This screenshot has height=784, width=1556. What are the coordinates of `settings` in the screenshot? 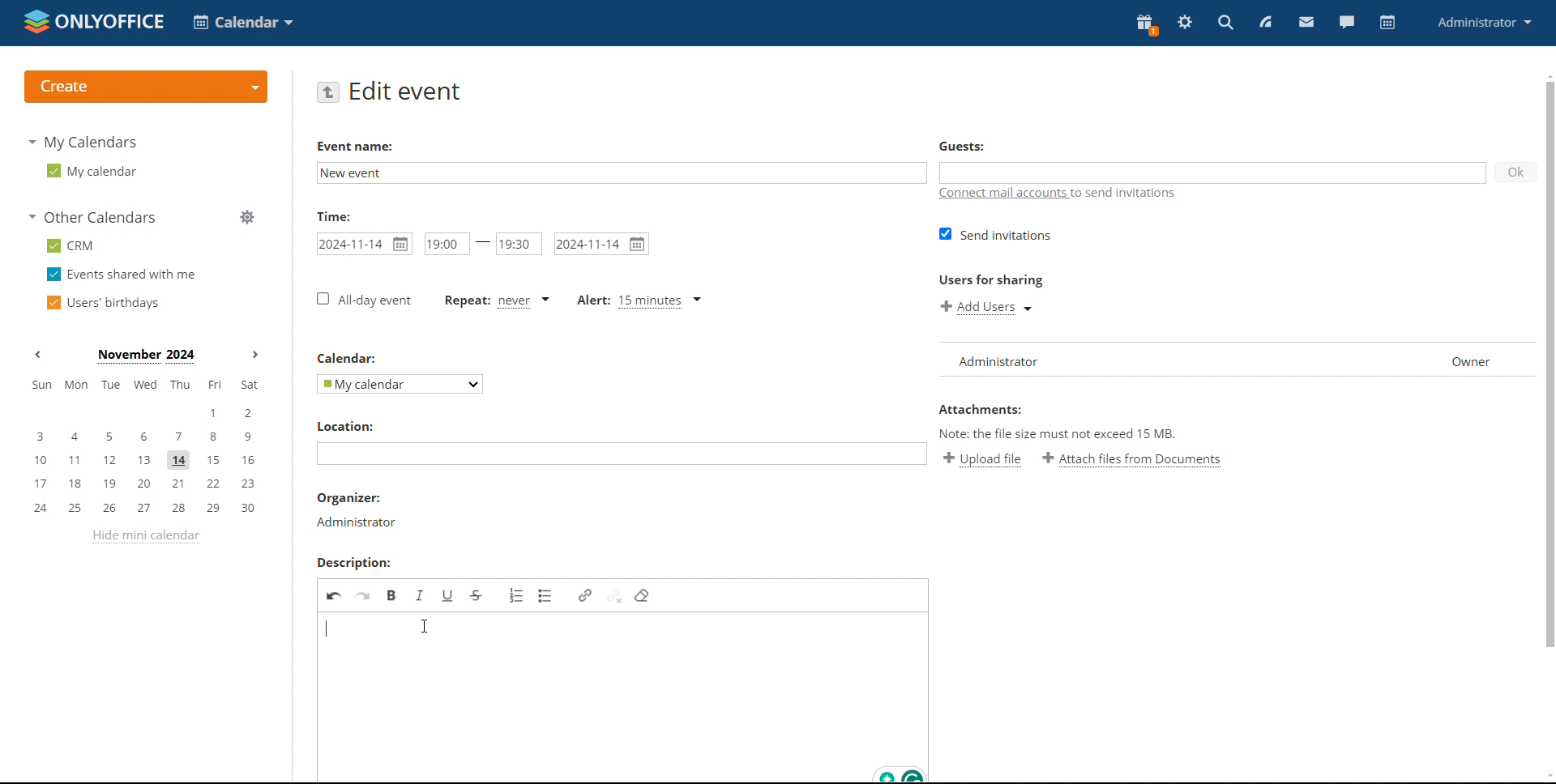 It's located at (1186, 21).